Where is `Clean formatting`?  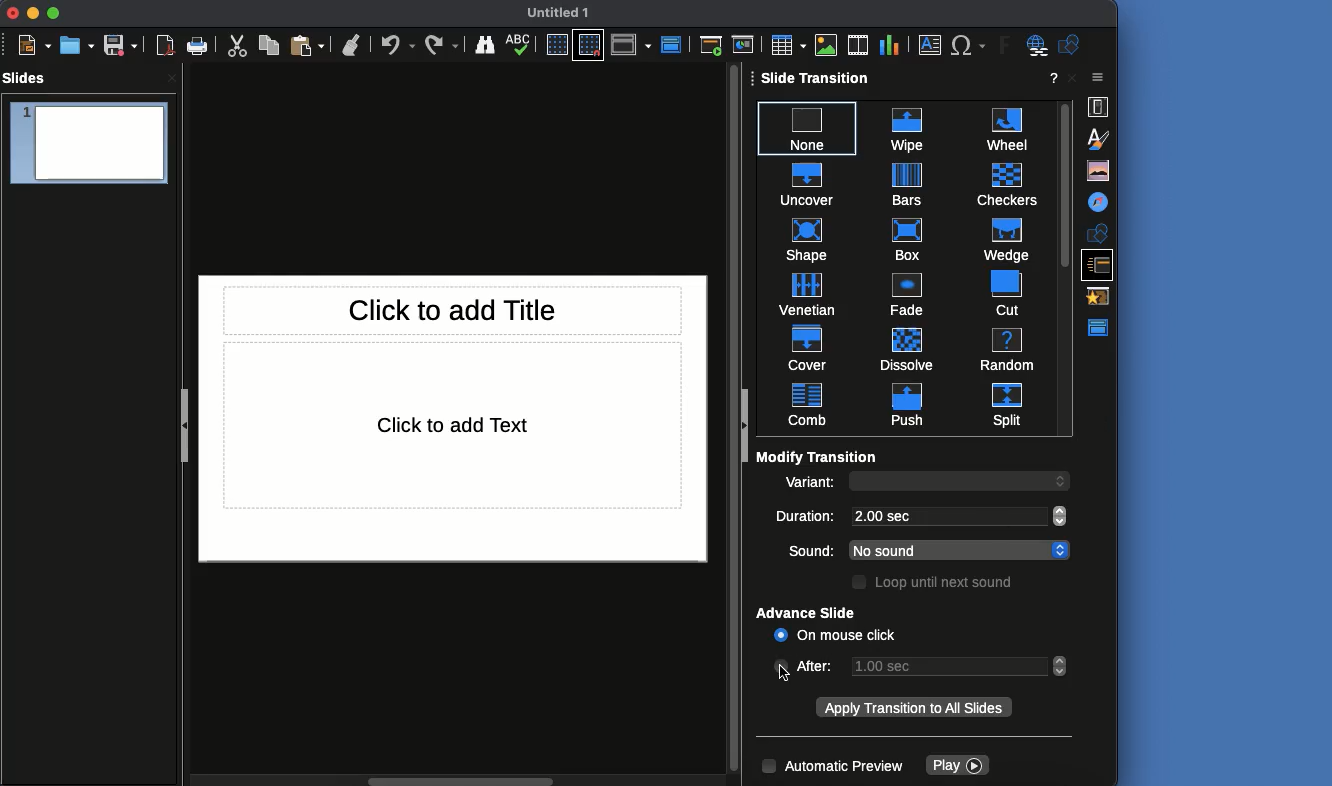 Clean formatting is located at coordinates (354, 44).